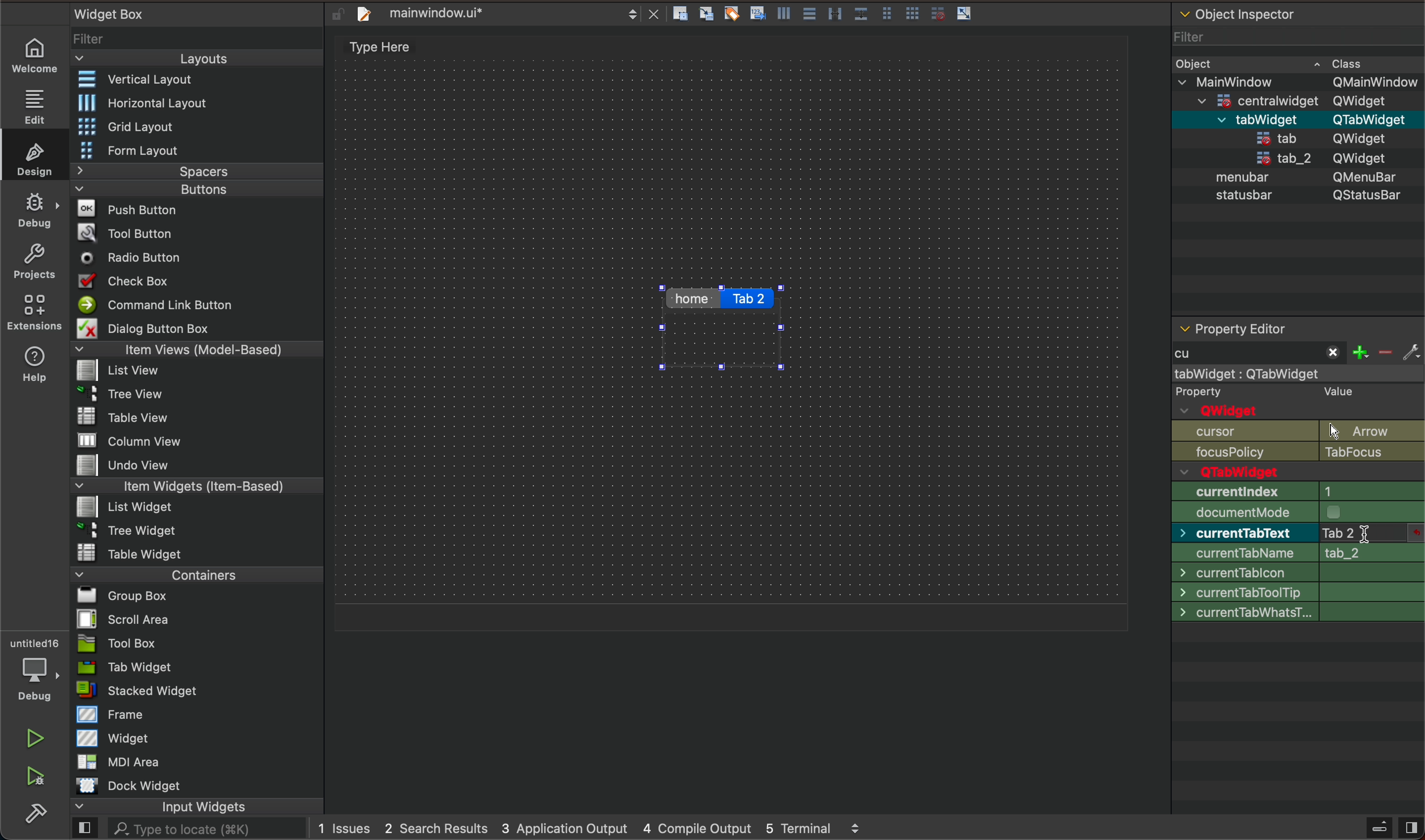  I want to click on qobject, so click(1295, 400).